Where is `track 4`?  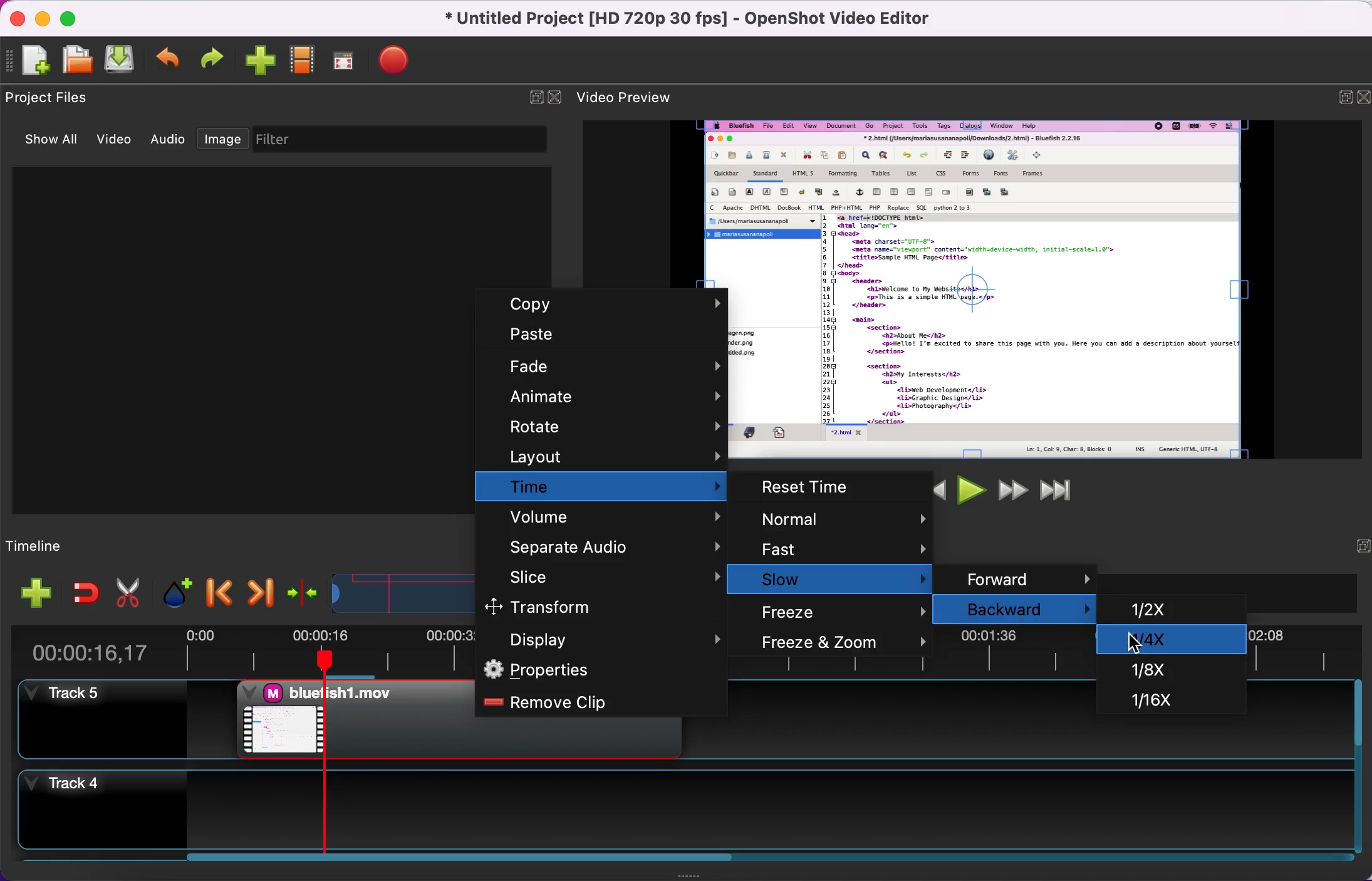 track 4 is located at coordinates (679, 807).